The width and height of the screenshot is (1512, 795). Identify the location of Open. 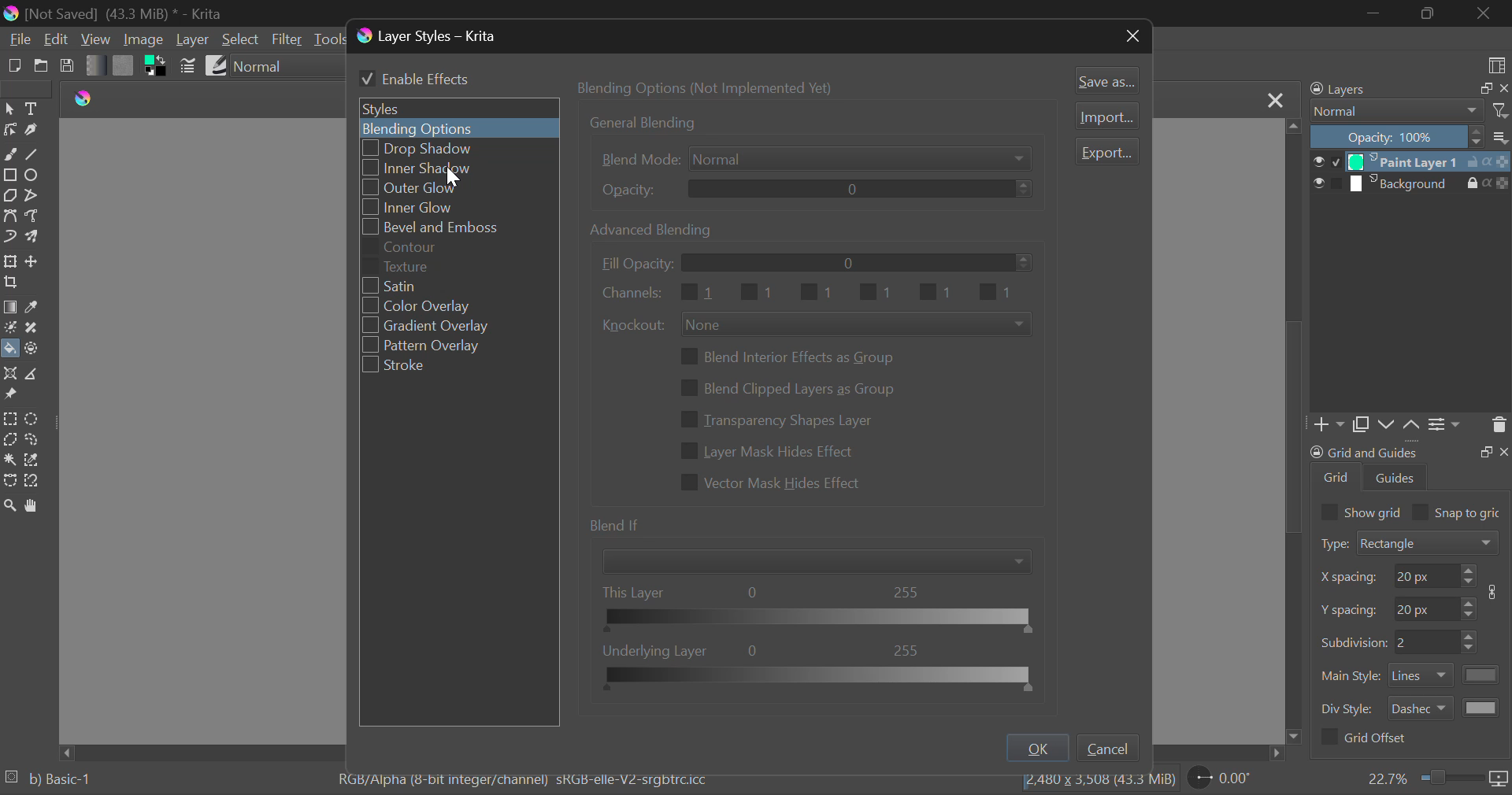
(43, 65).